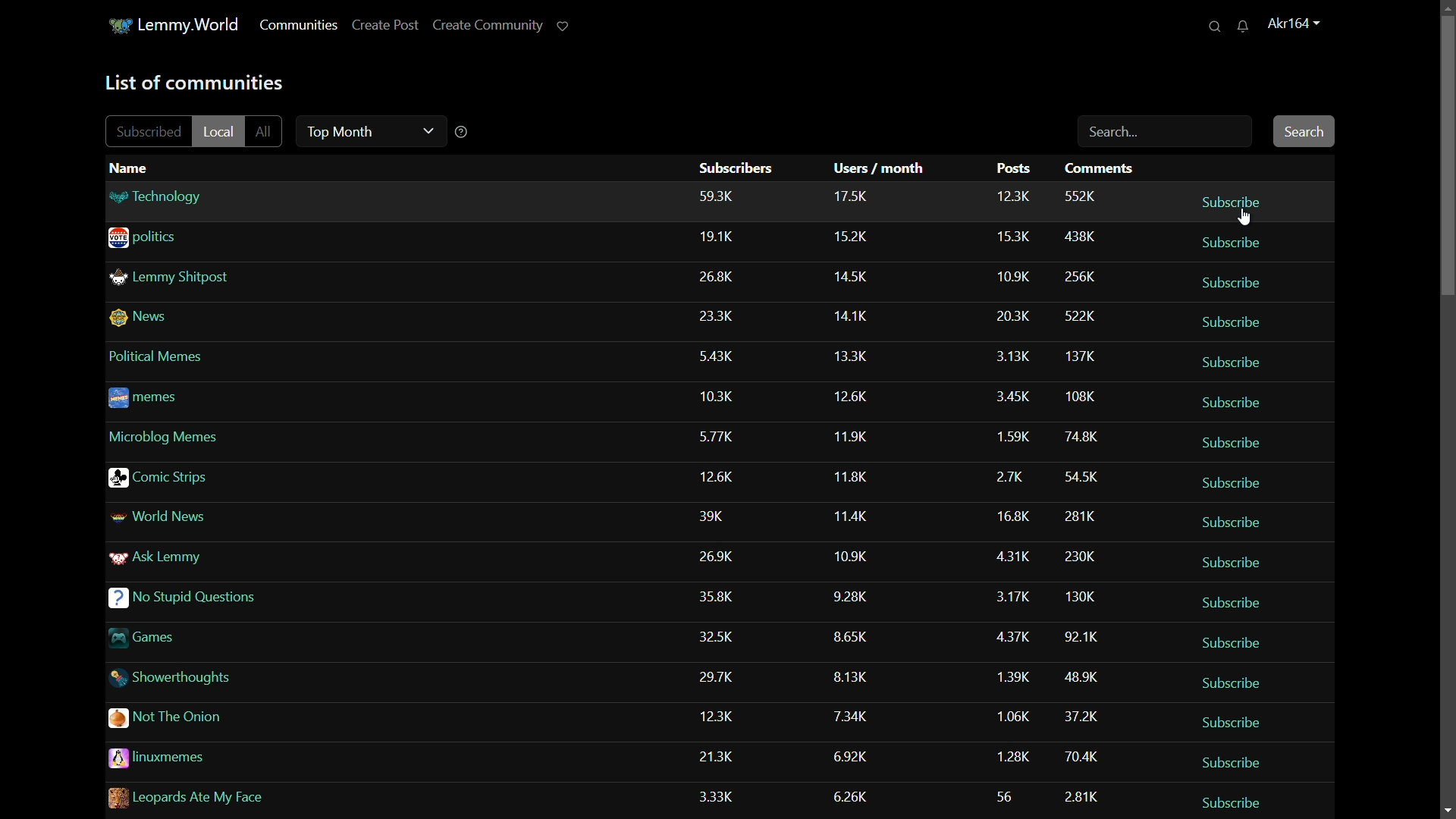 This screenshot has width=1456, height=819. I want to click on communities name, so click(237, 438).